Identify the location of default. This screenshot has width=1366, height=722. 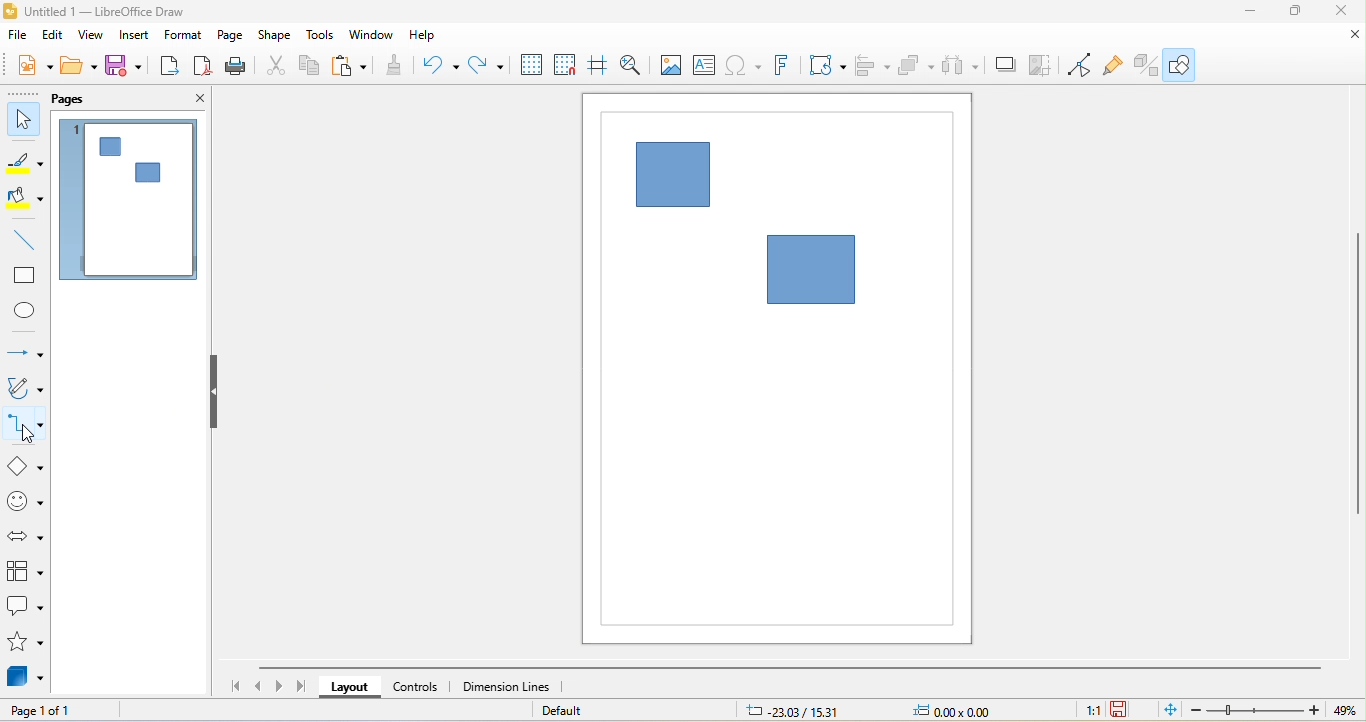
(576, 711).